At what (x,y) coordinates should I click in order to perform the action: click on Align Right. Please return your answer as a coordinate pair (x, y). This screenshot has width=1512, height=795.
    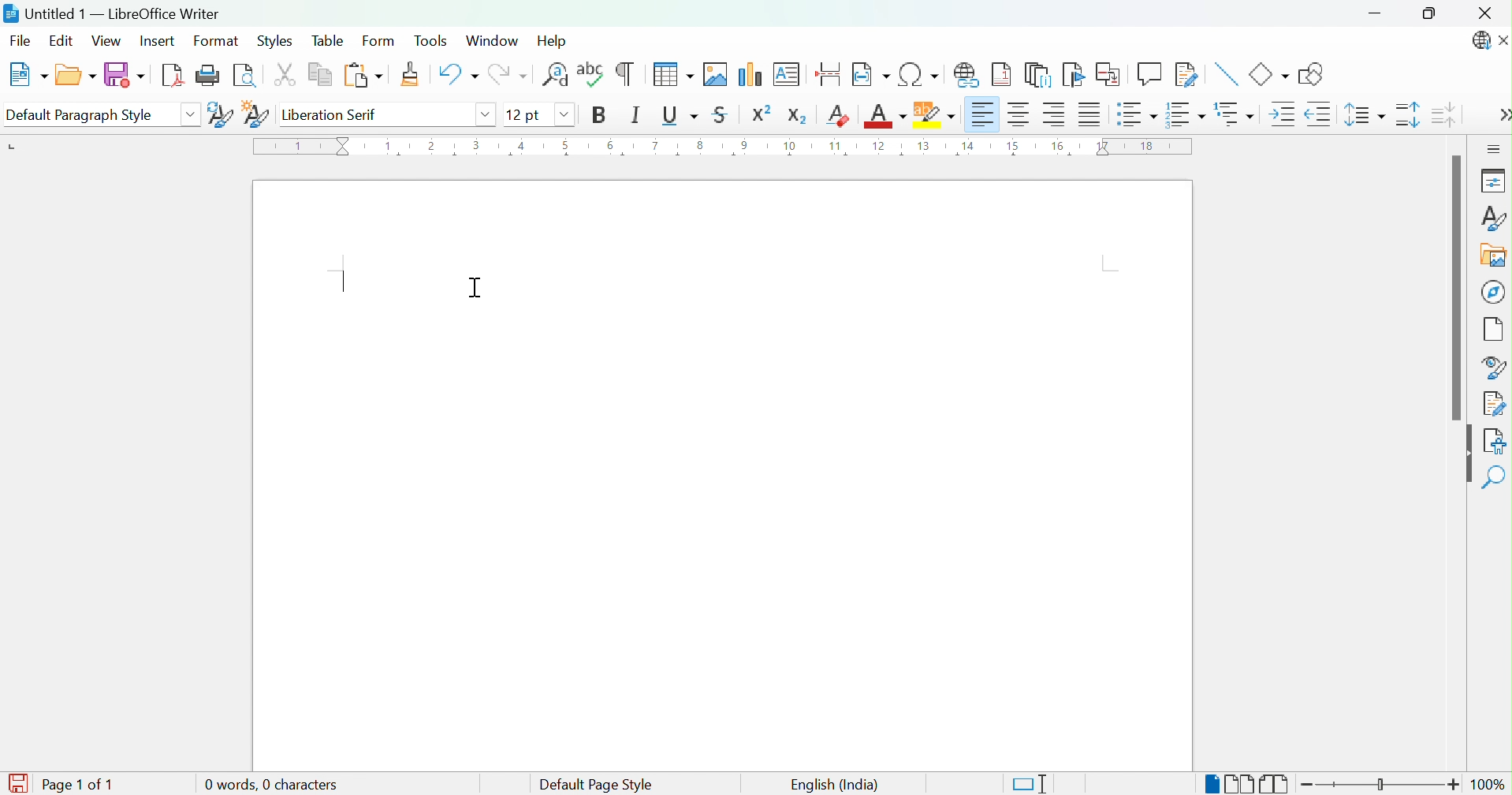
    Looking at the image, I should click on (1055, 115).